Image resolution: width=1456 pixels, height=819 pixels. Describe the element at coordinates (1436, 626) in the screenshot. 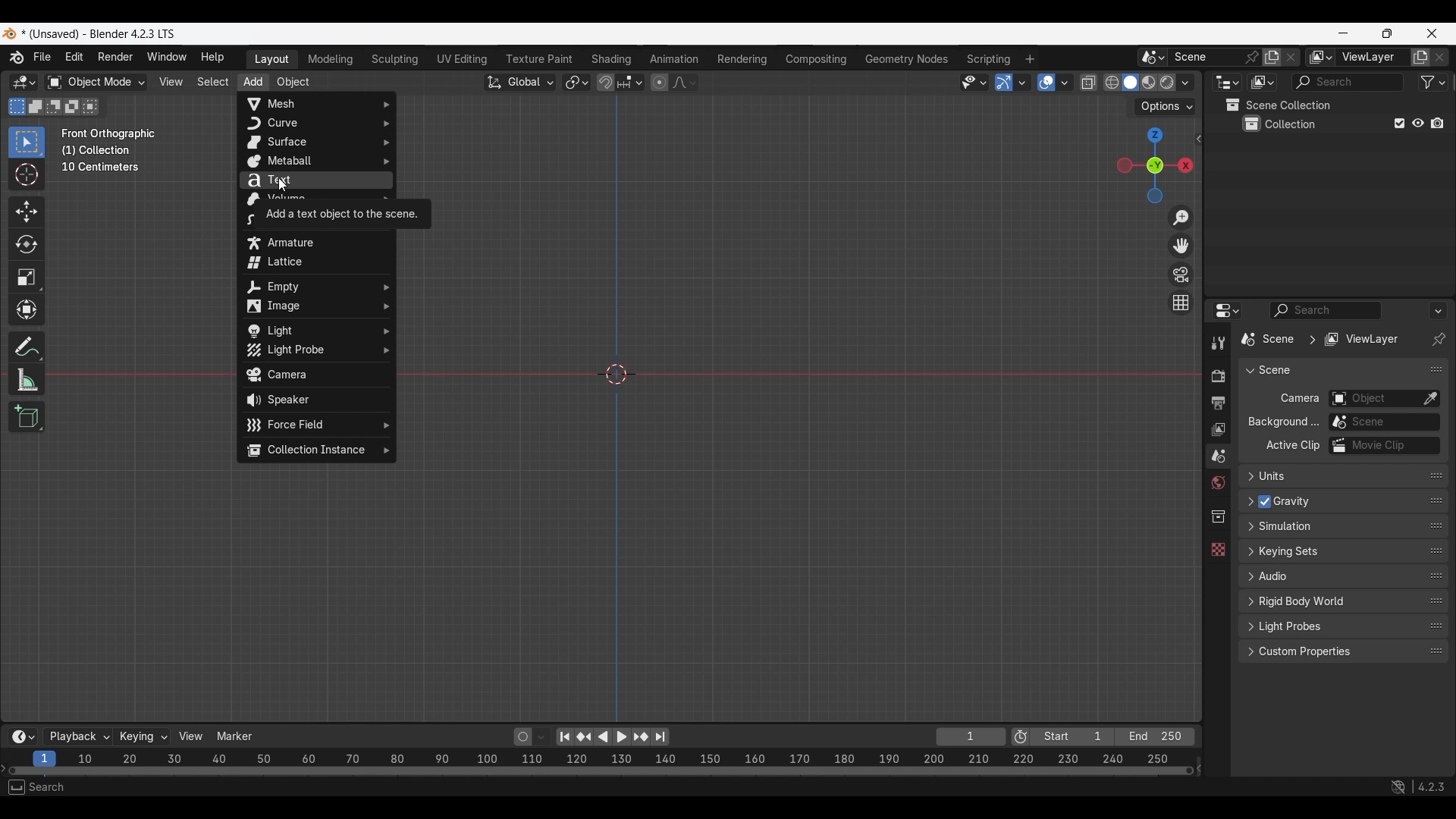

I see `Change order in the list` at that location.